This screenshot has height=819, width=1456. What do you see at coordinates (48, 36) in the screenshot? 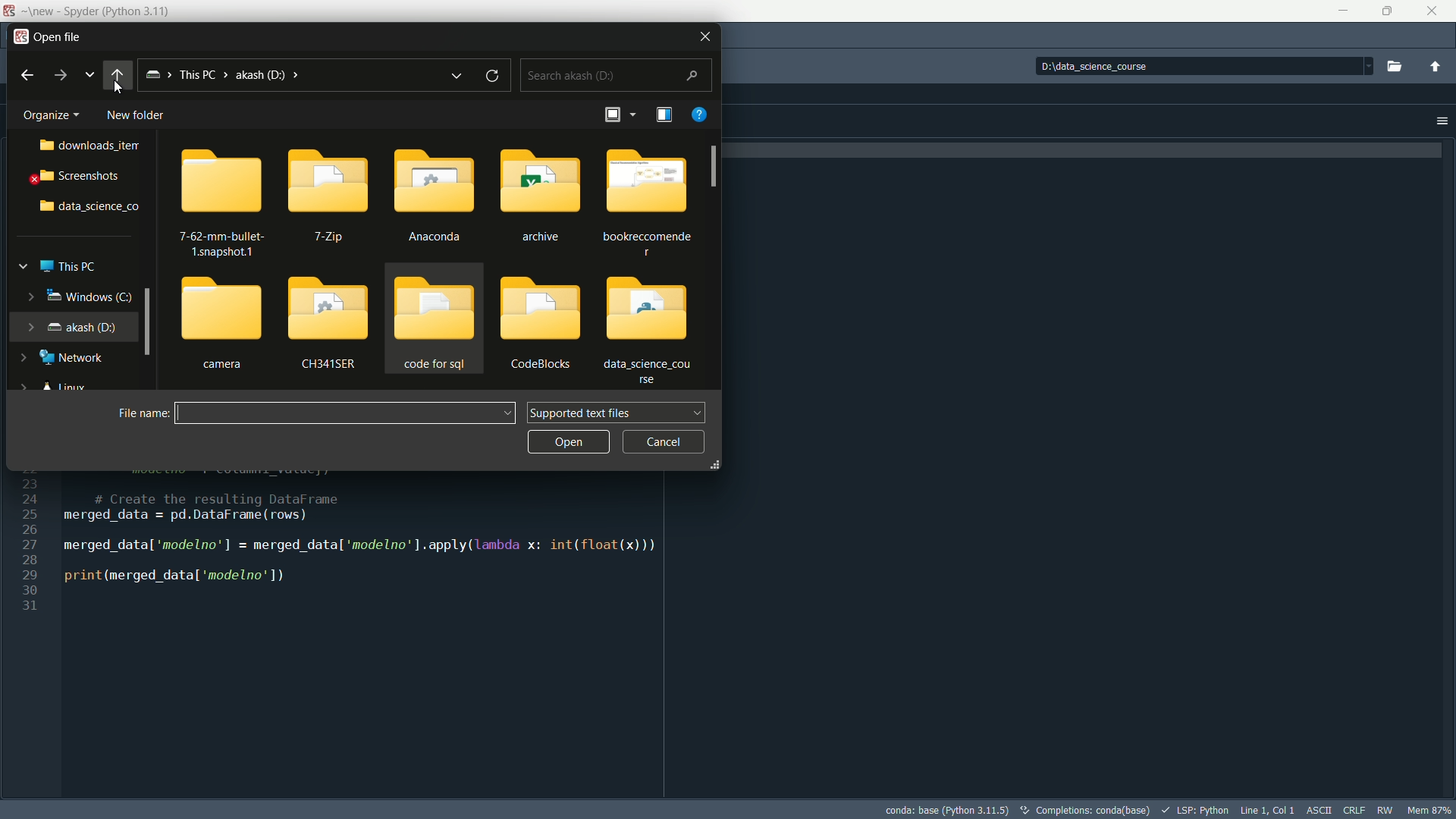
I see `open file` at bounding box center [48, 36].